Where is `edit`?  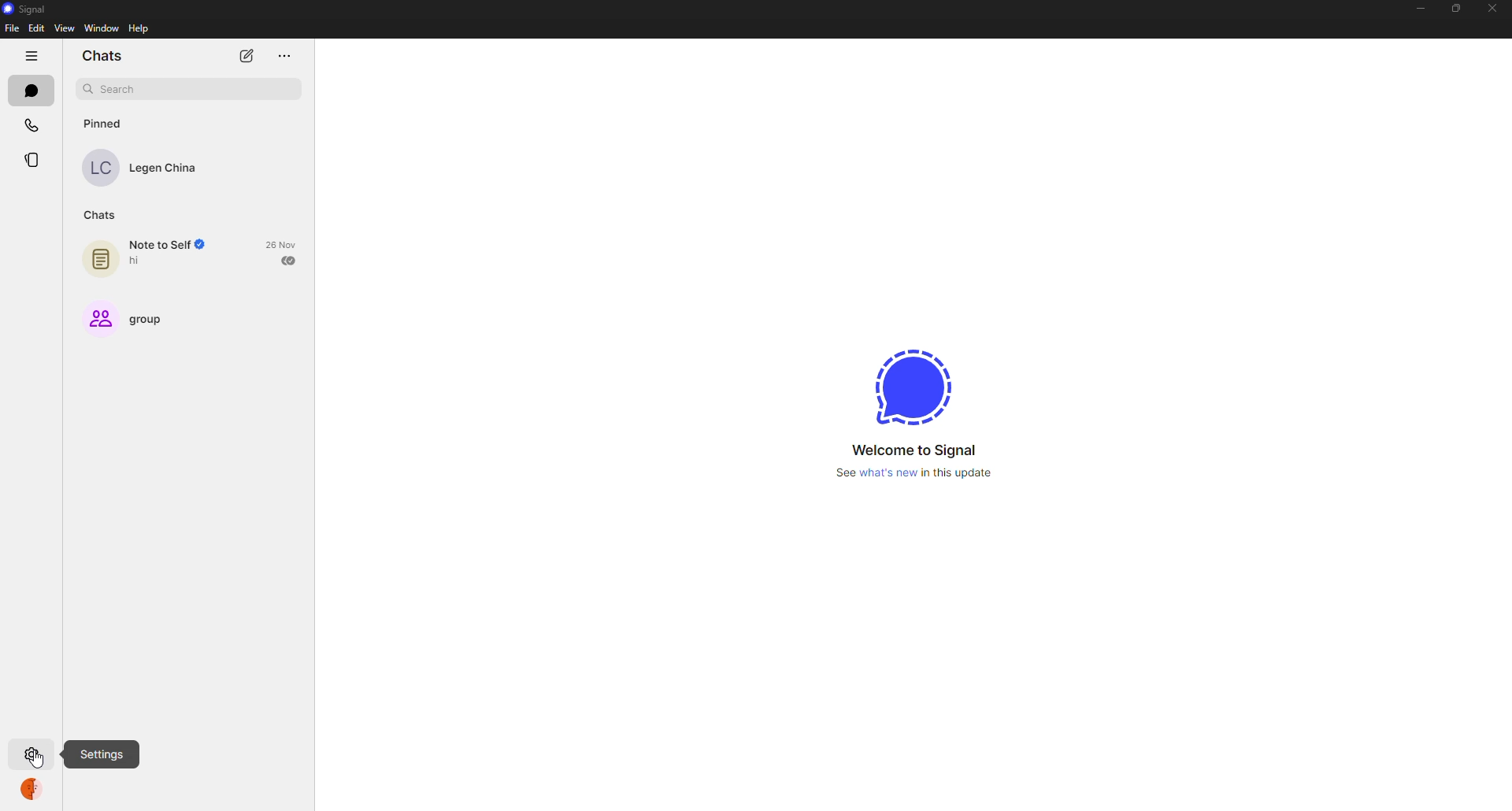 edit is located at coordinates (36, 28).